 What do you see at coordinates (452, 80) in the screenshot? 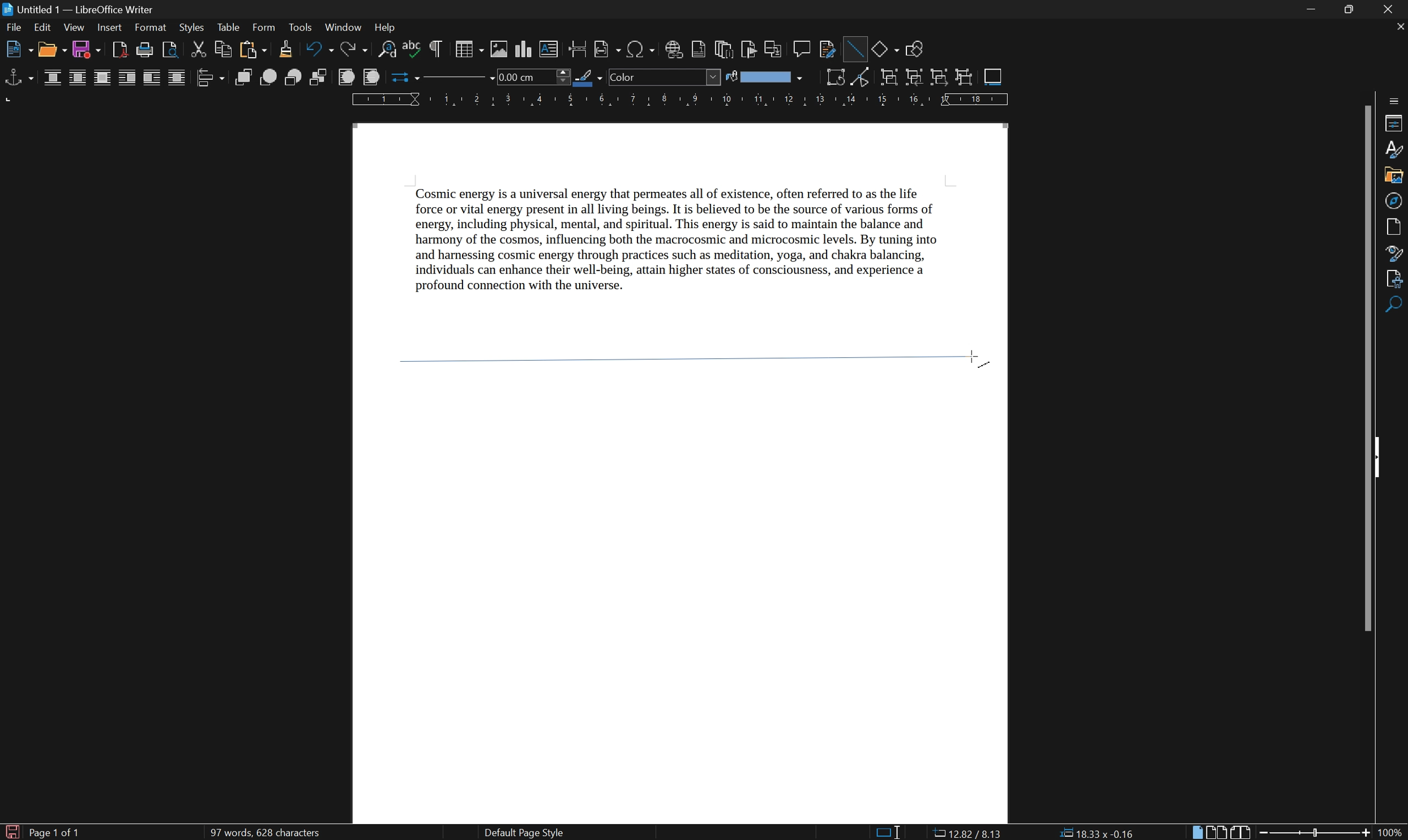
I see `line style` at bounding box center [452, 80].